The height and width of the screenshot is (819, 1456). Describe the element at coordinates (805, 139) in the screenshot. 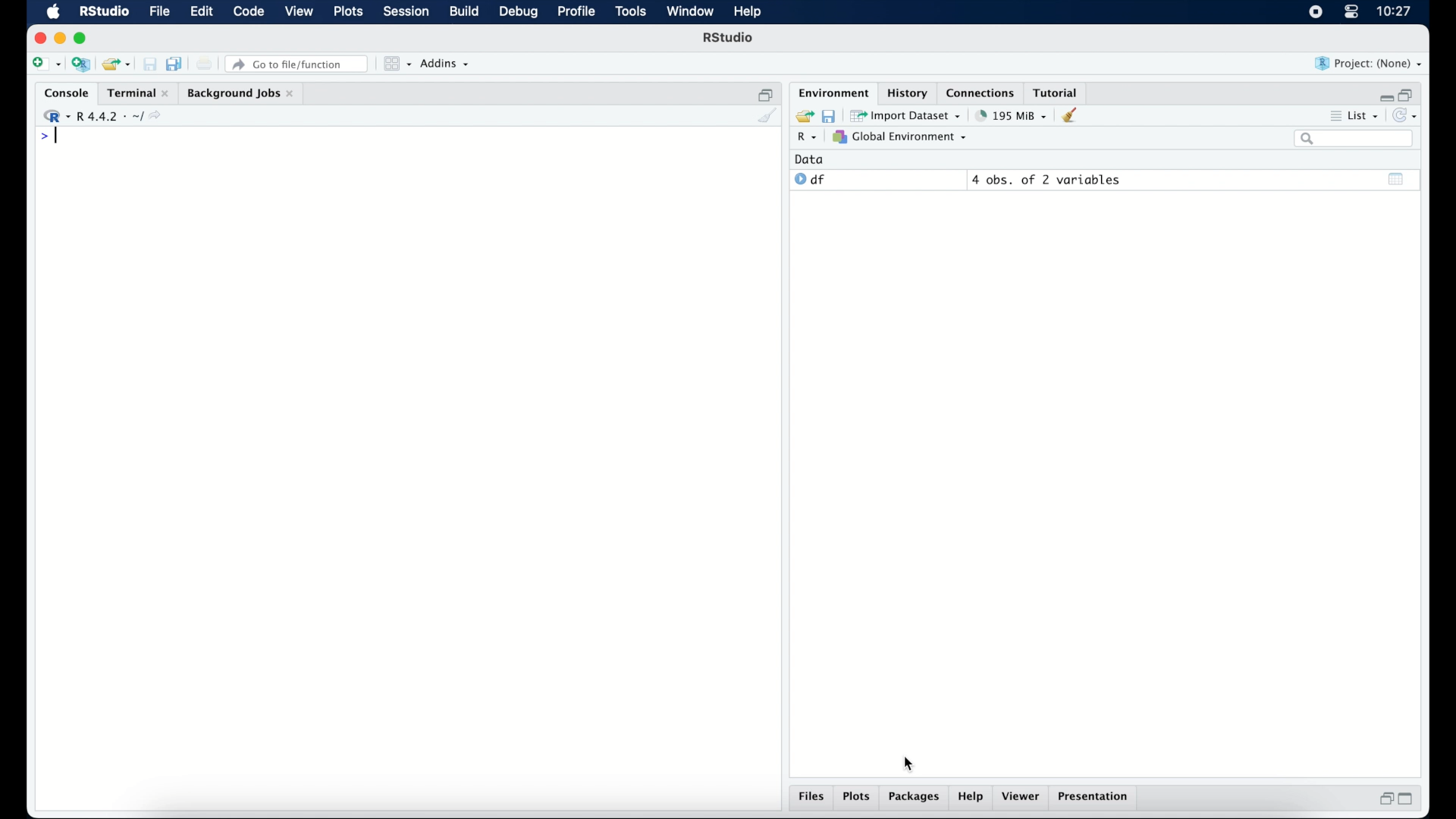

I see `R` at that location.